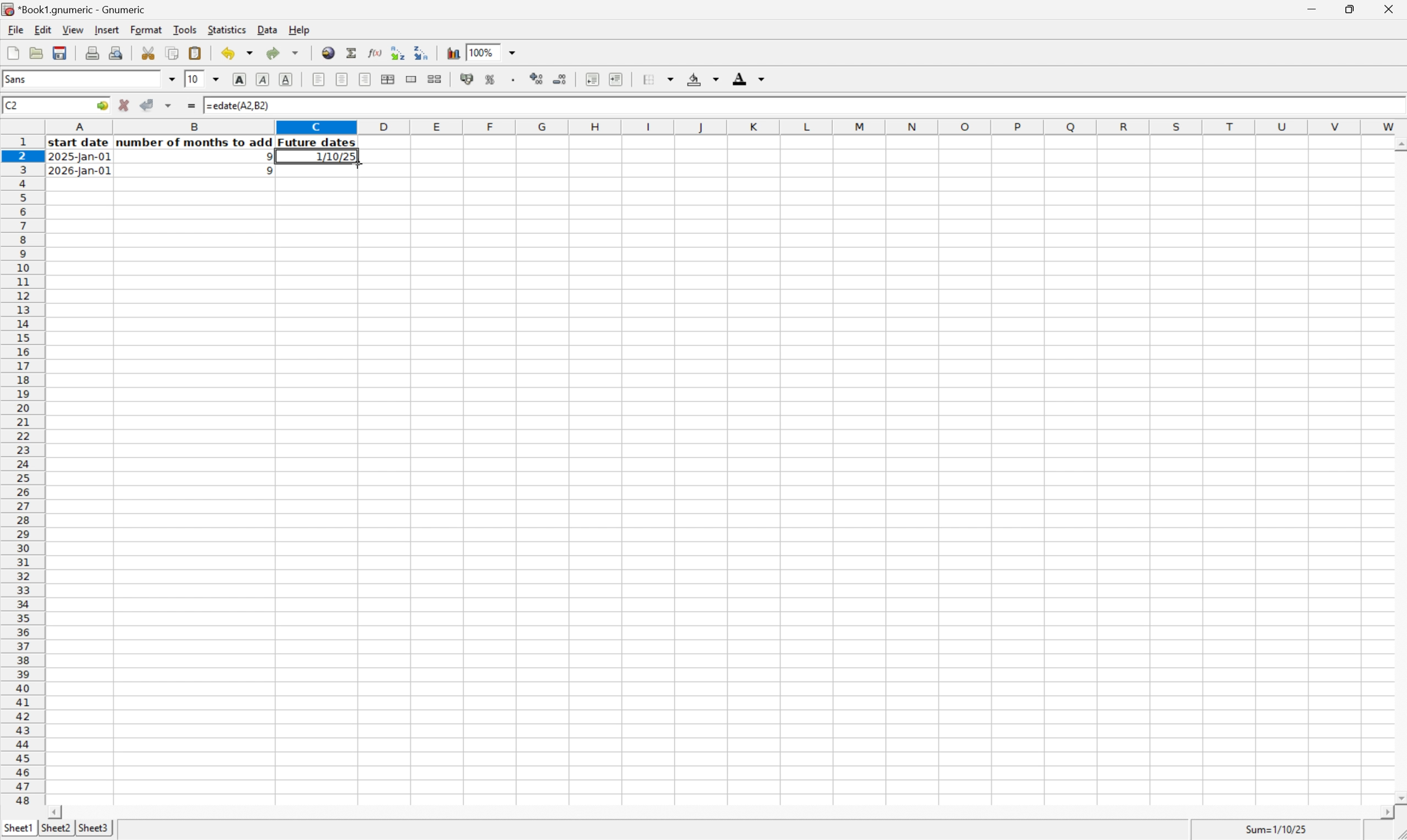  I want to click on start date, so click(80, 143).